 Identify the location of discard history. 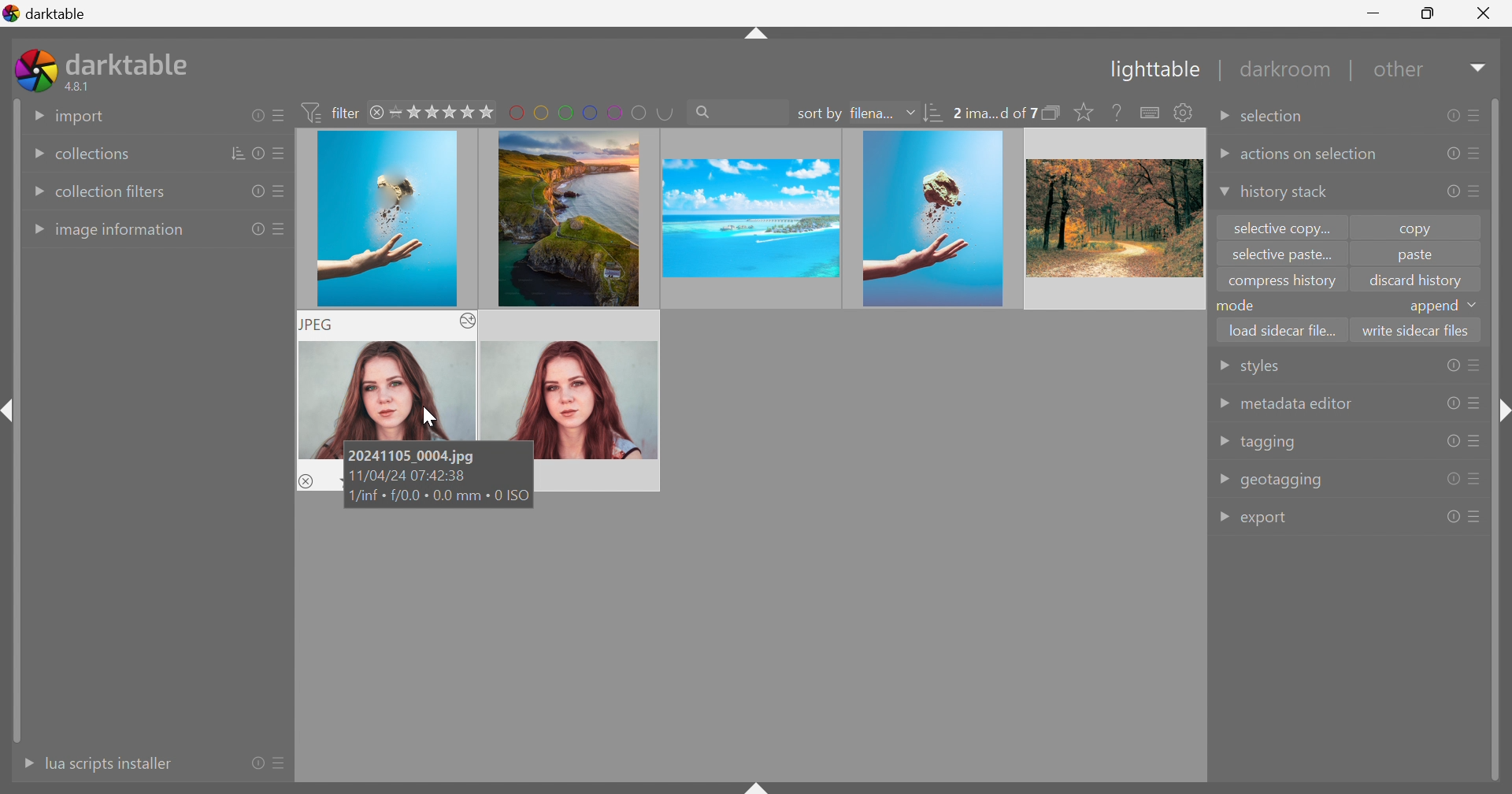
(1416, 280).